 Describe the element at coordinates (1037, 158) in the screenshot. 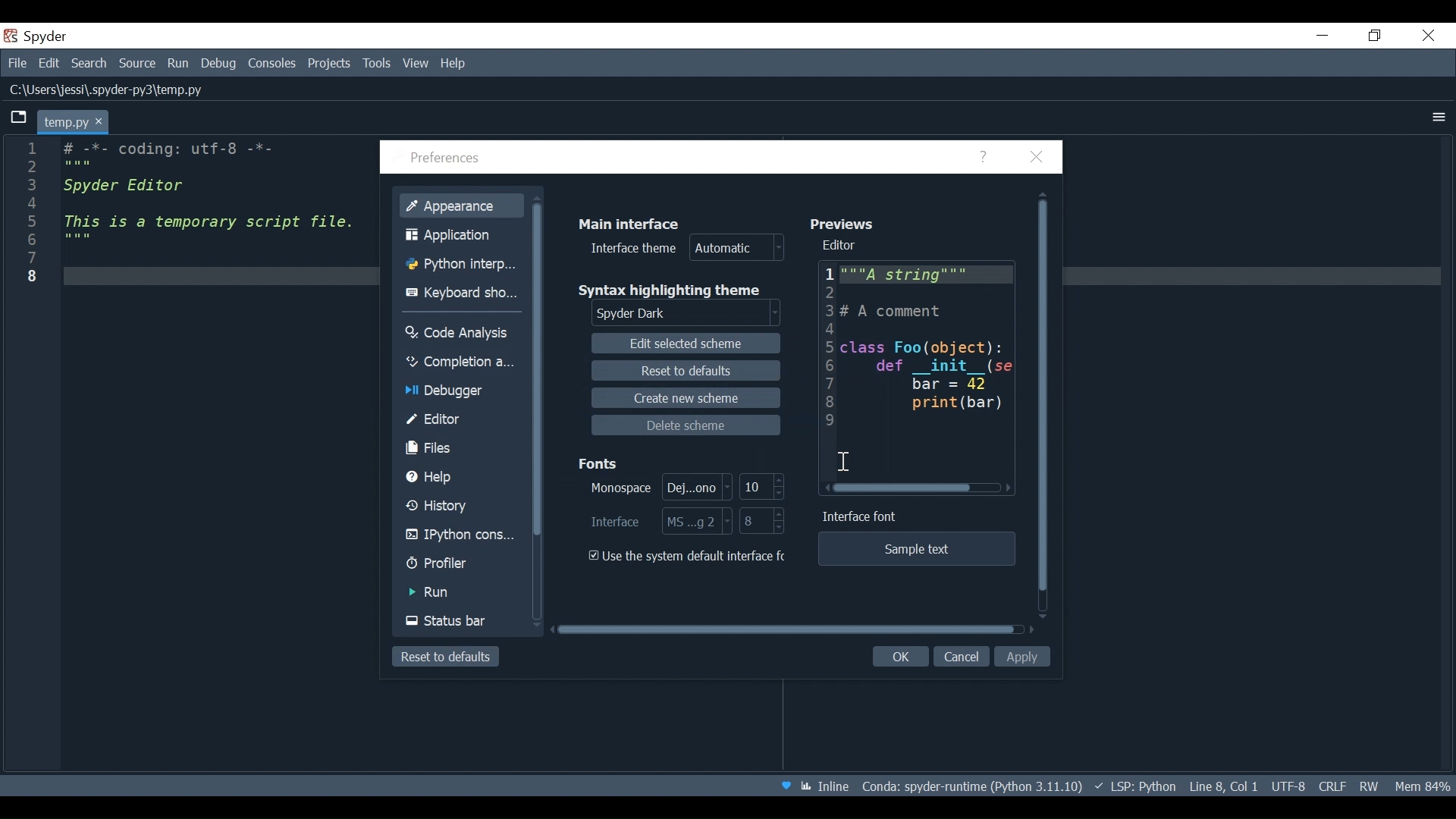

I see `Close` at that location.